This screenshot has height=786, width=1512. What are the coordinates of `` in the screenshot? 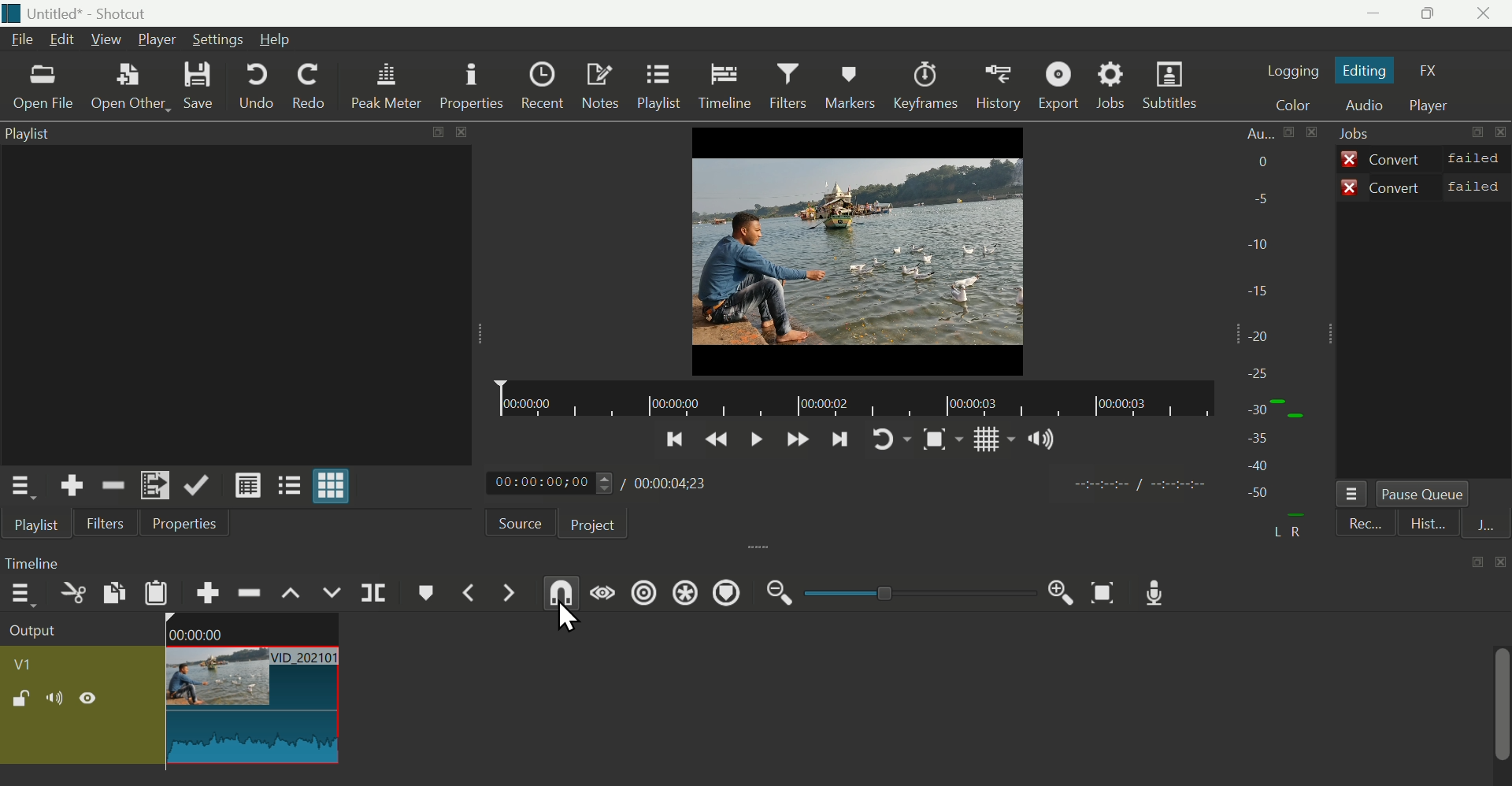 It's located at (726, 593).